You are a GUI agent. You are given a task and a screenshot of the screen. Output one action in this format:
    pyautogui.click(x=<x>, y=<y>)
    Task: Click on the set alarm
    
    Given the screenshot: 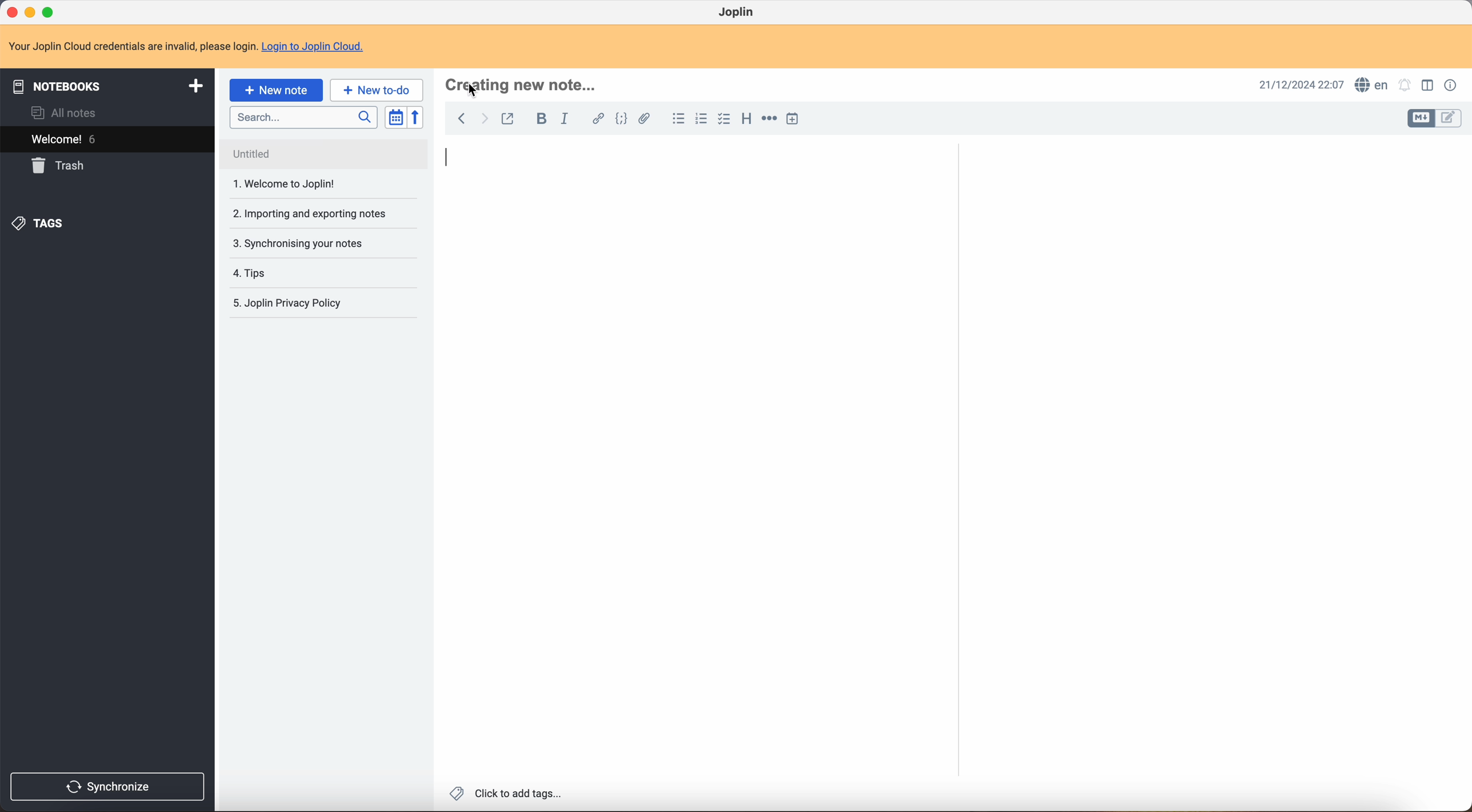 What is the action you would take?
    pyautogui.click(x=1406, y=85)
    